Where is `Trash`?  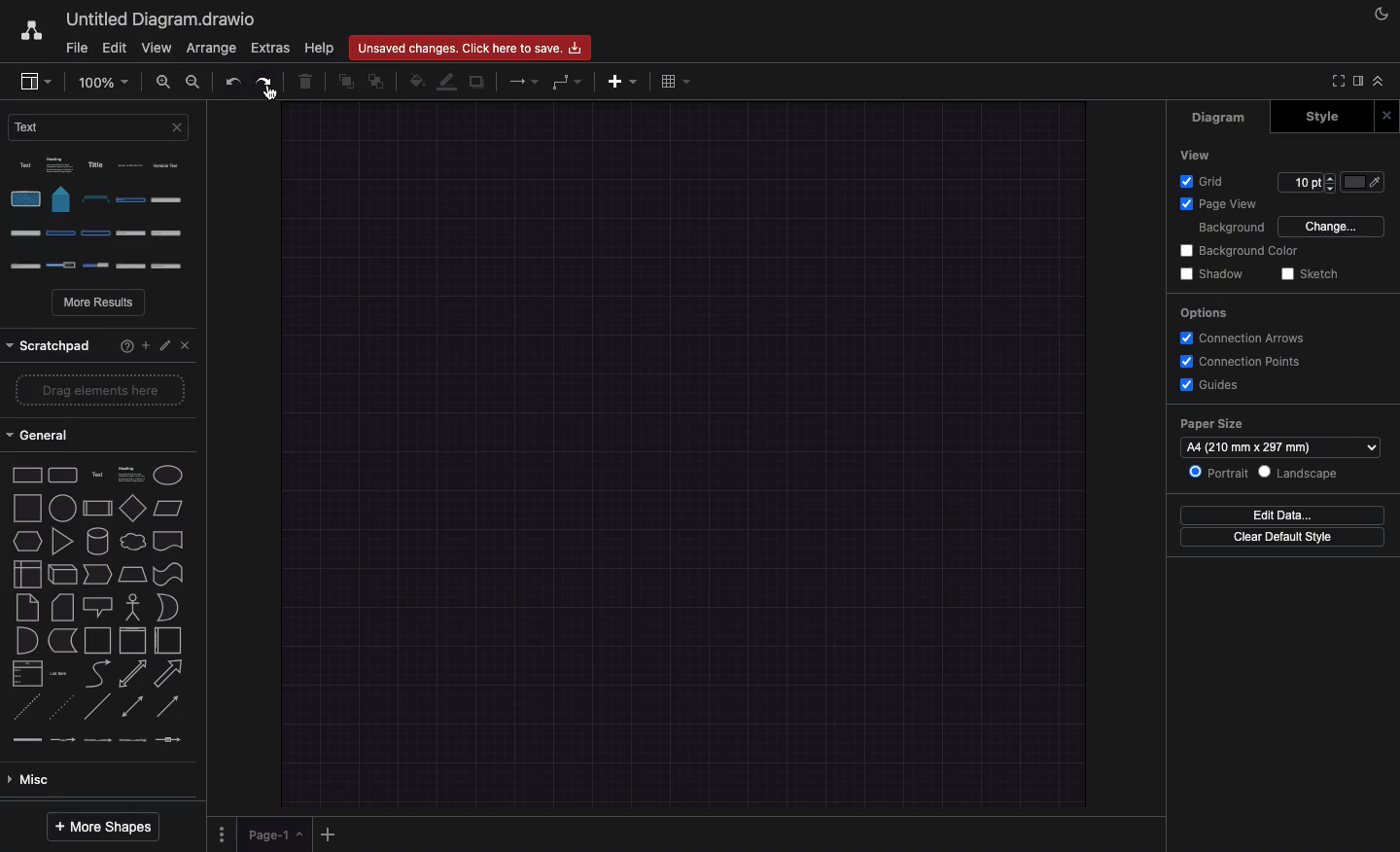
Trash is located at coordinates (307, 84).